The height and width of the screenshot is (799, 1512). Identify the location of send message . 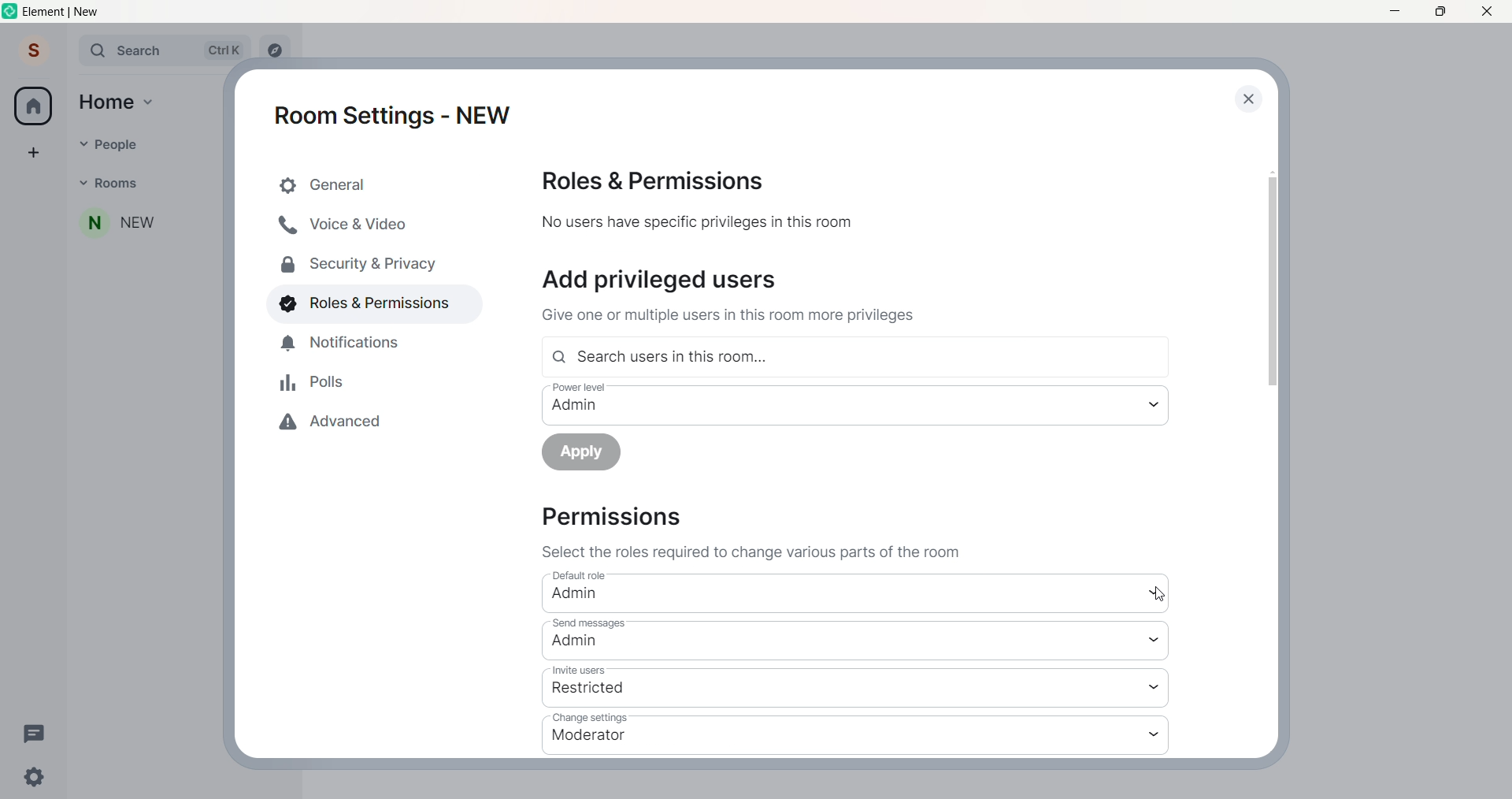
(836, 639).